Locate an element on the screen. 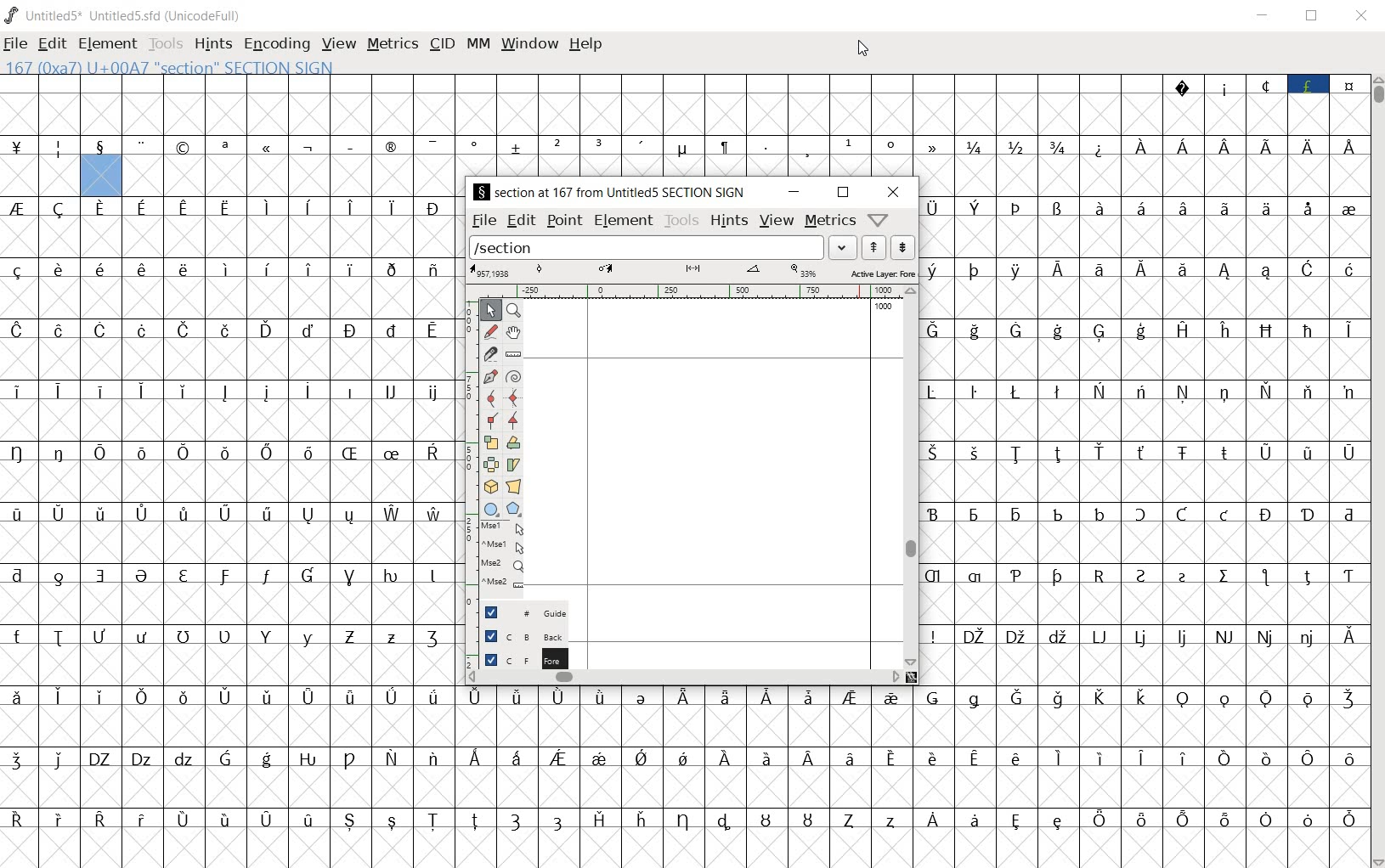 This screenshot has width=1385, height=868. empty cells is located at coordinates (1145, 300).